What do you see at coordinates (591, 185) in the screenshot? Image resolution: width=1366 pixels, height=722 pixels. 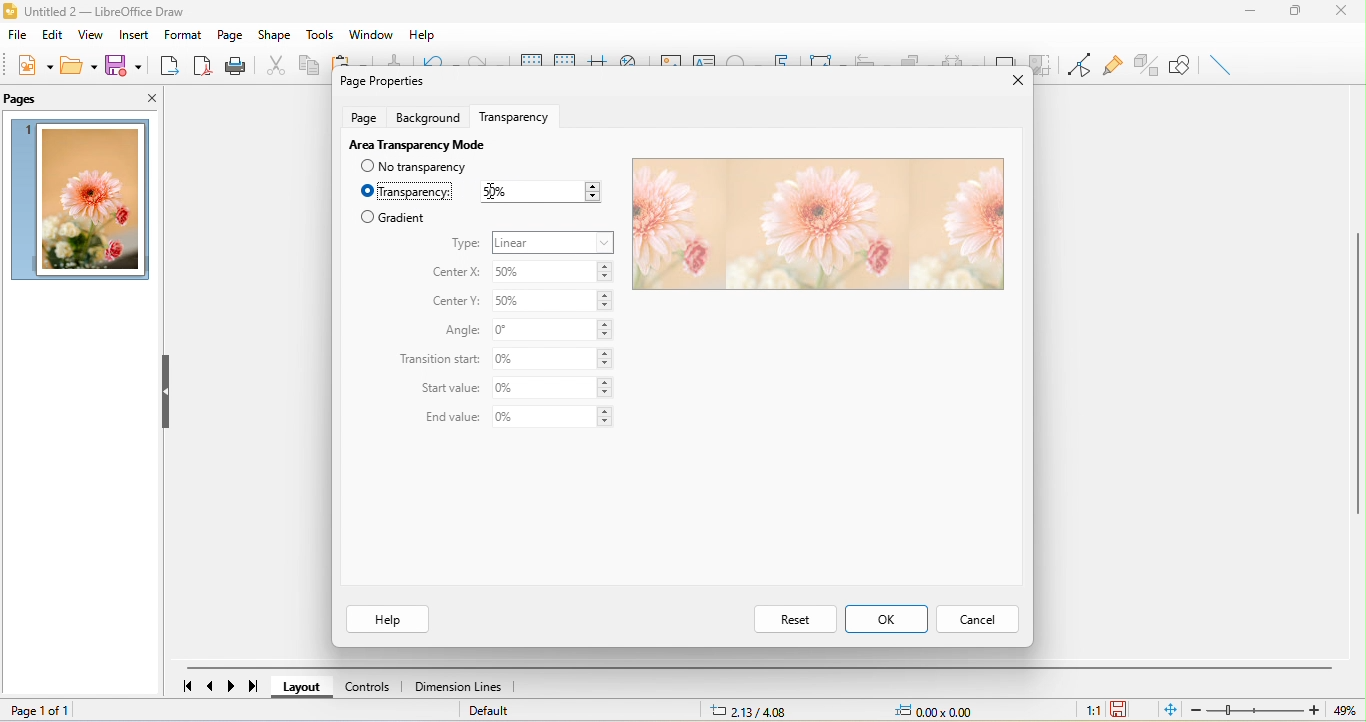 I see `increase` at bounding box center [591, 185].